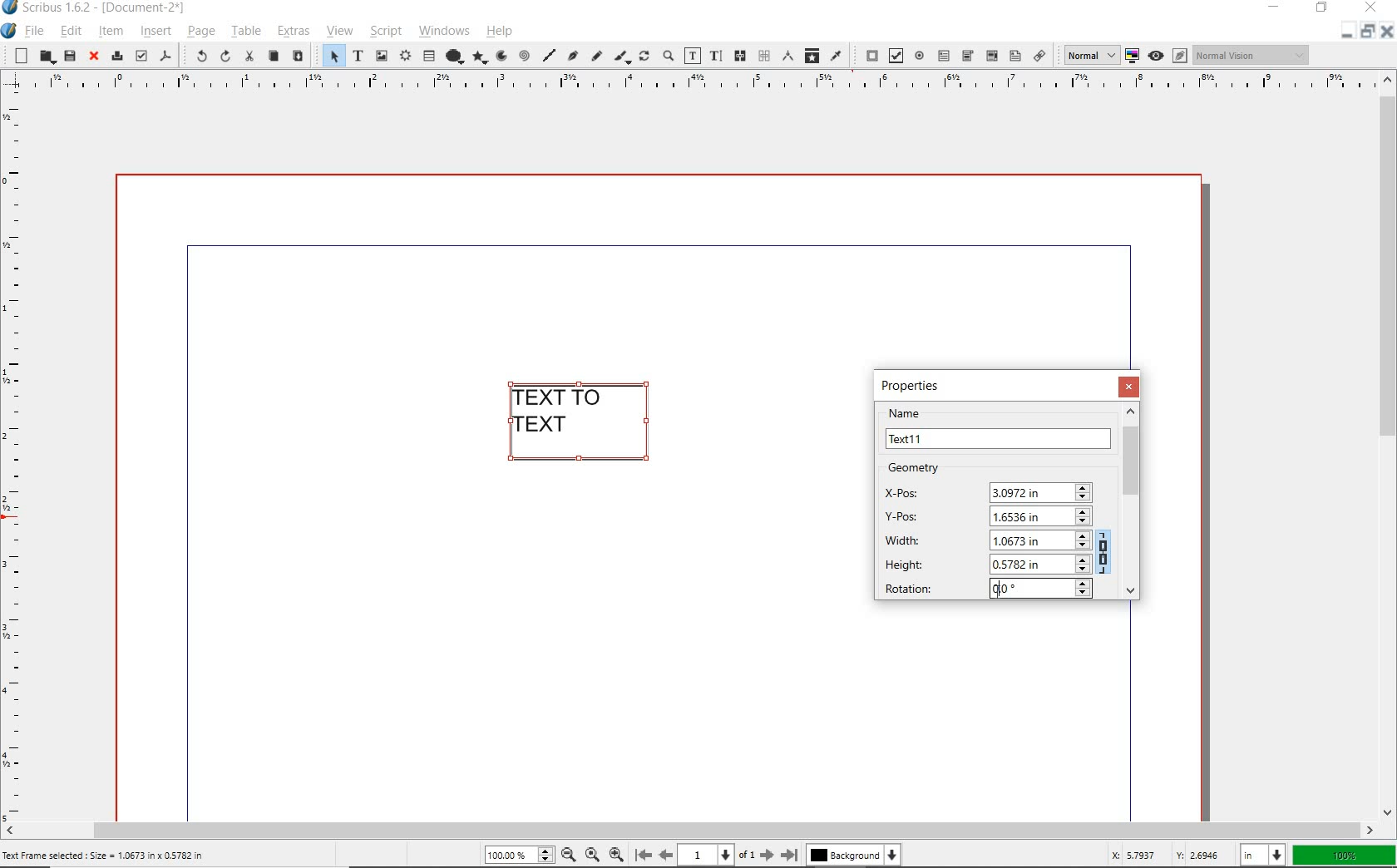  Describe the element at coordinates (294, 31) in the screenshot. I see `extras` at that location.